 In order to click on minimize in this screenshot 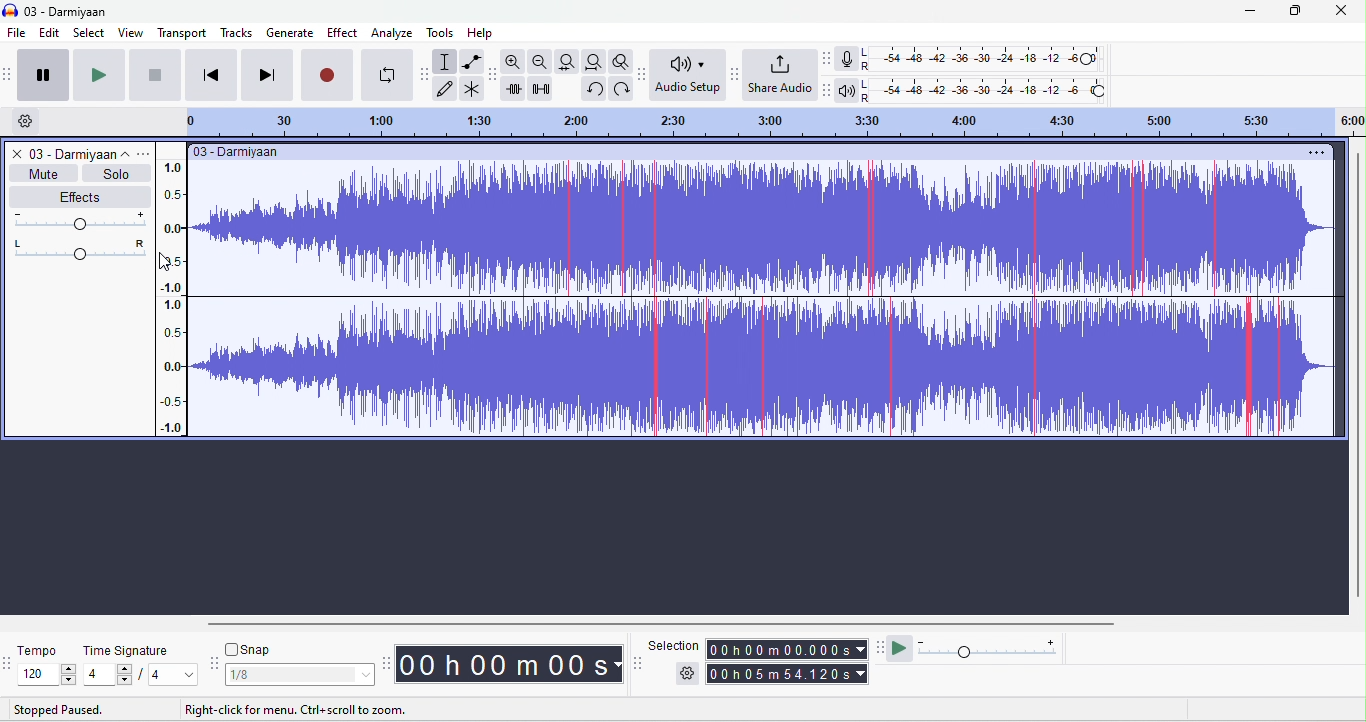, I will do `click(1249, 14)`.